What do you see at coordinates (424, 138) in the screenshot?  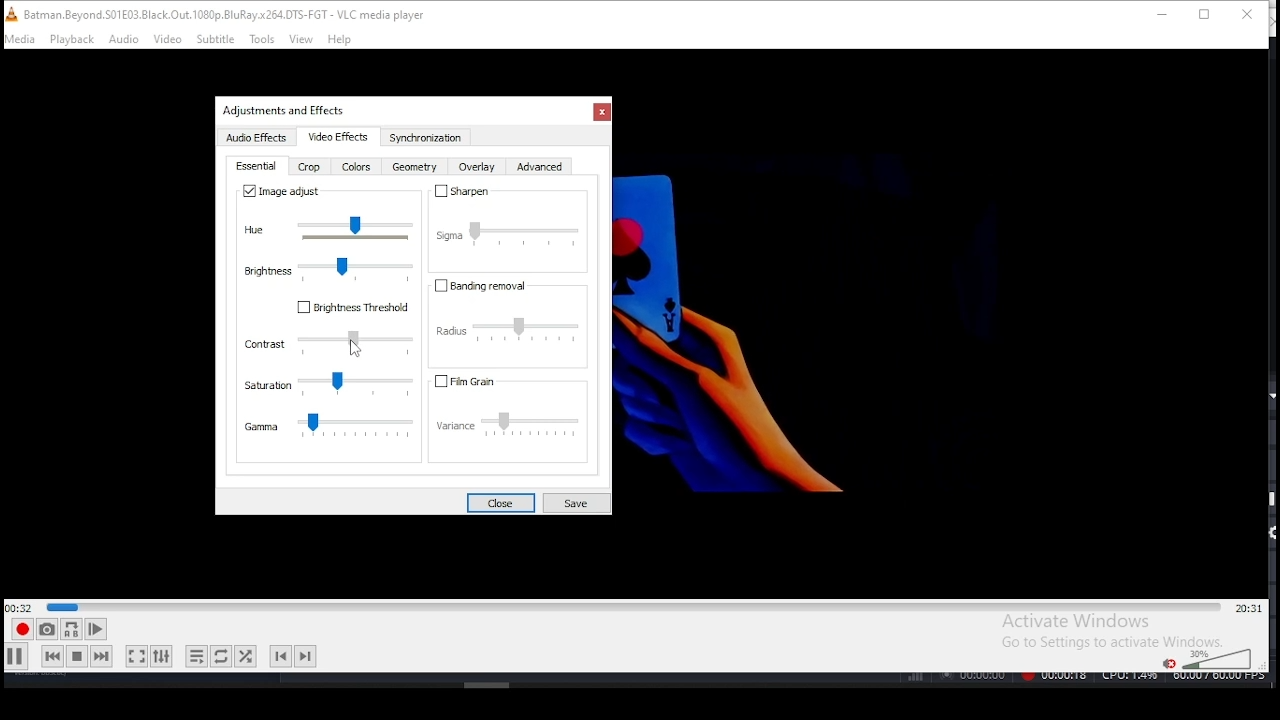 I see `synchronization` at bounding box center [424, 138].